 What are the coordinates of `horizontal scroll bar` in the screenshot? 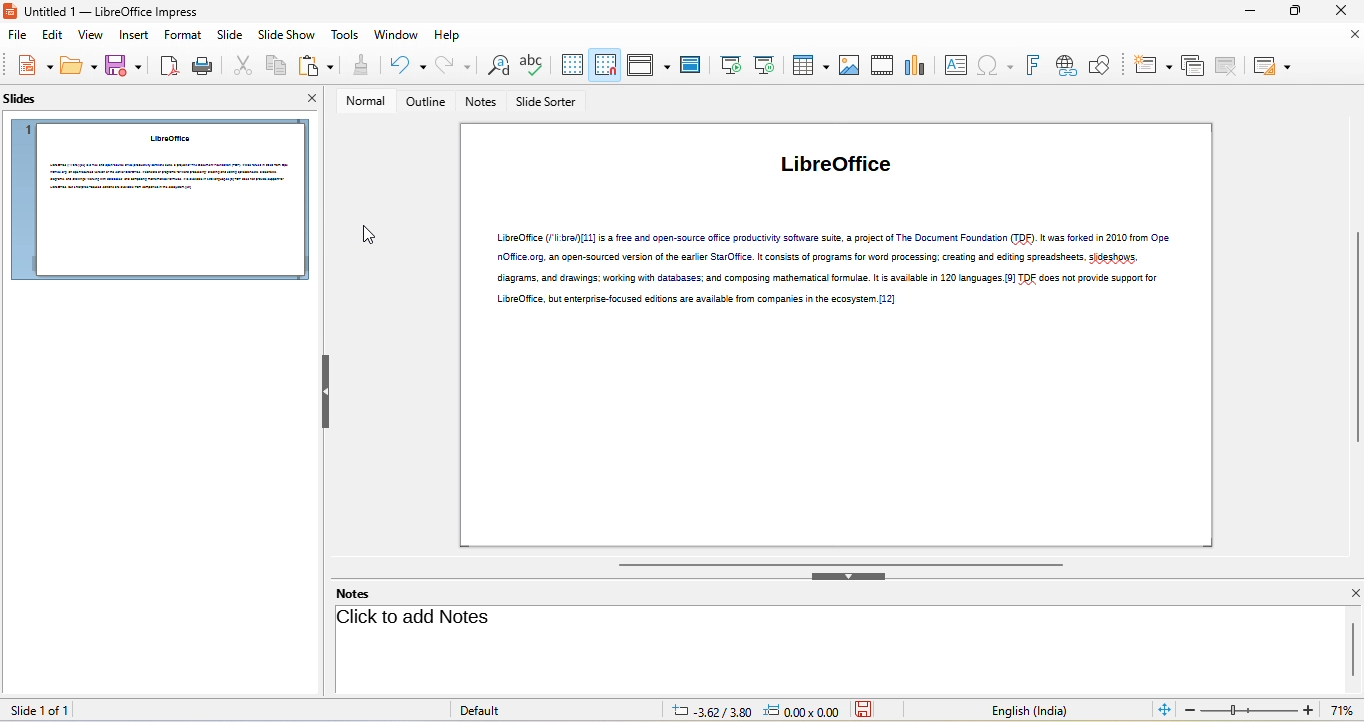 It's located at (838, 563).